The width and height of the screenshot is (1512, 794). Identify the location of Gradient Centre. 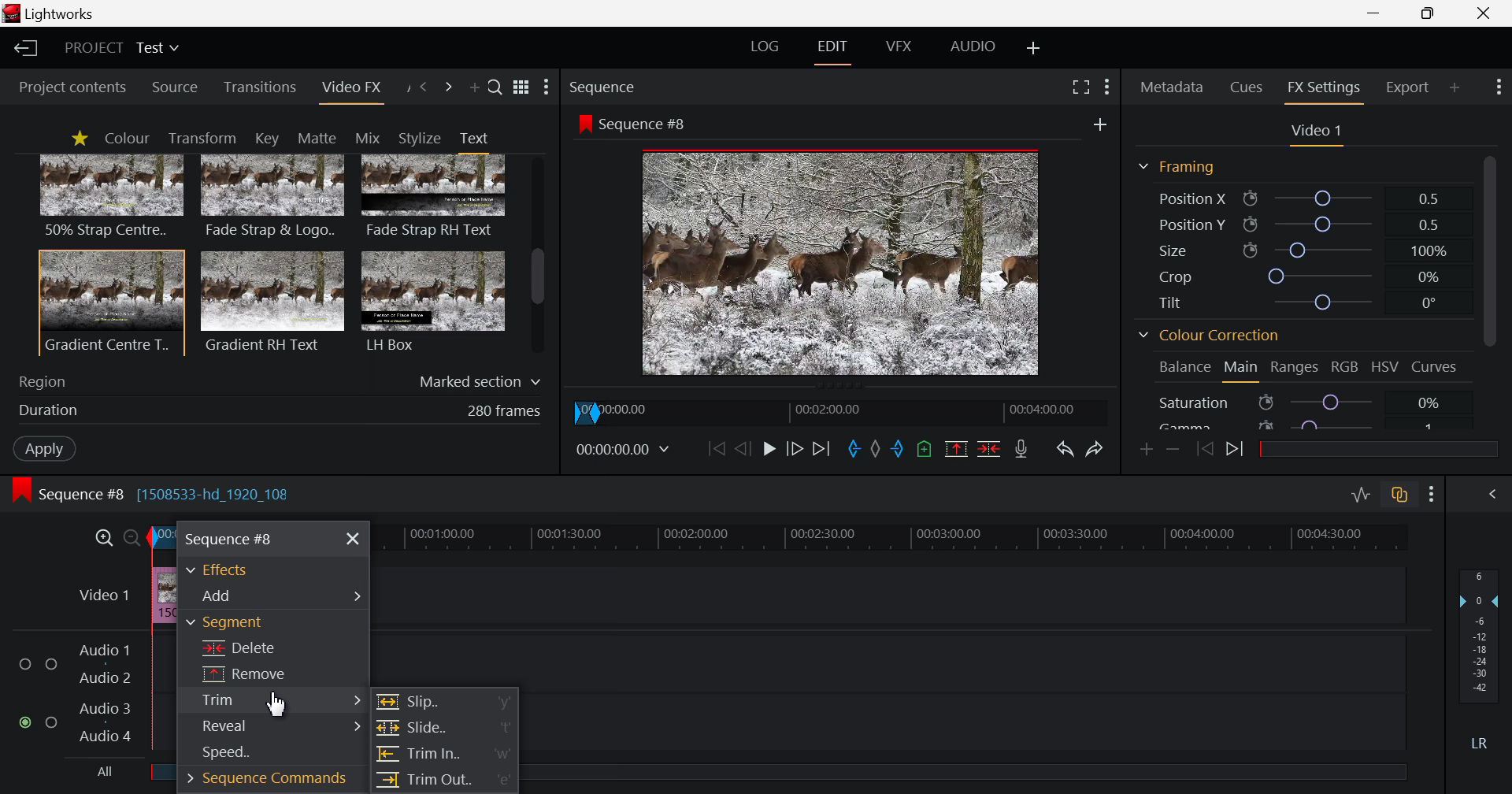
(110, 302).